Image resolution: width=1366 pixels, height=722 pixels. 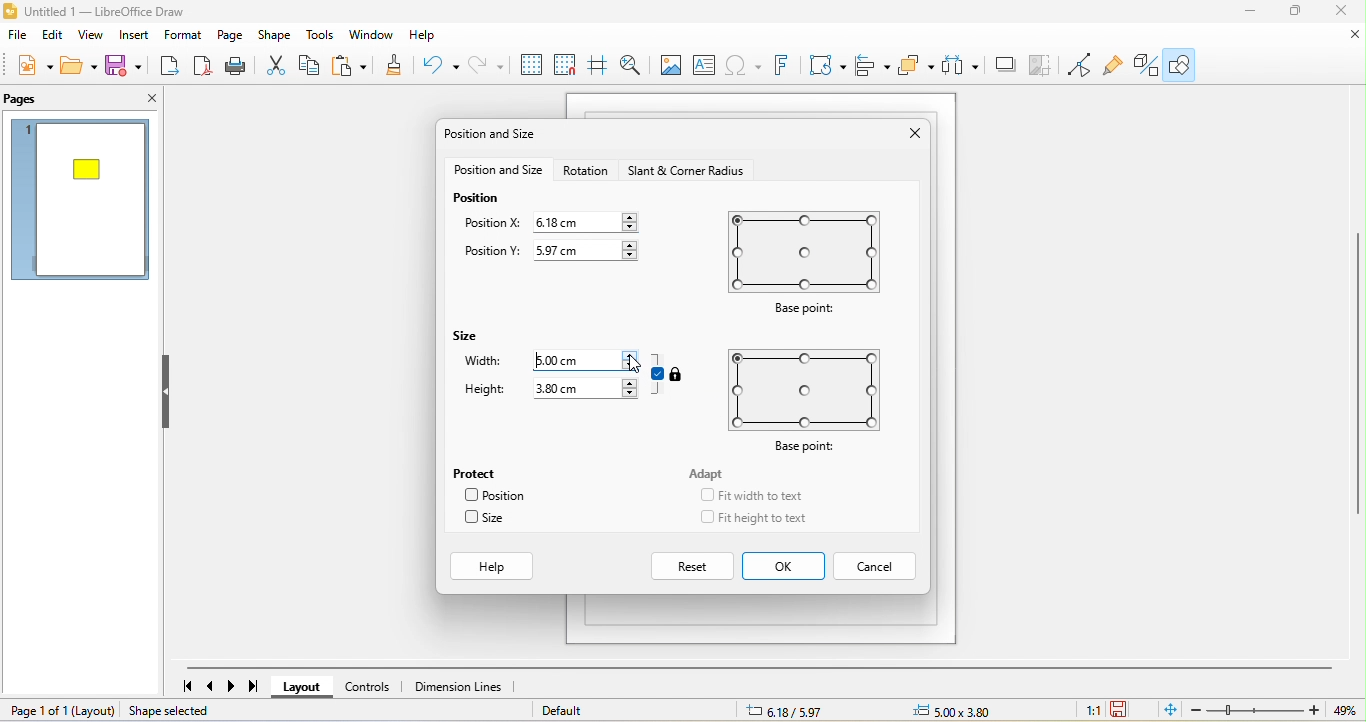 I want to click on position and size, so click(x=496, y=136).